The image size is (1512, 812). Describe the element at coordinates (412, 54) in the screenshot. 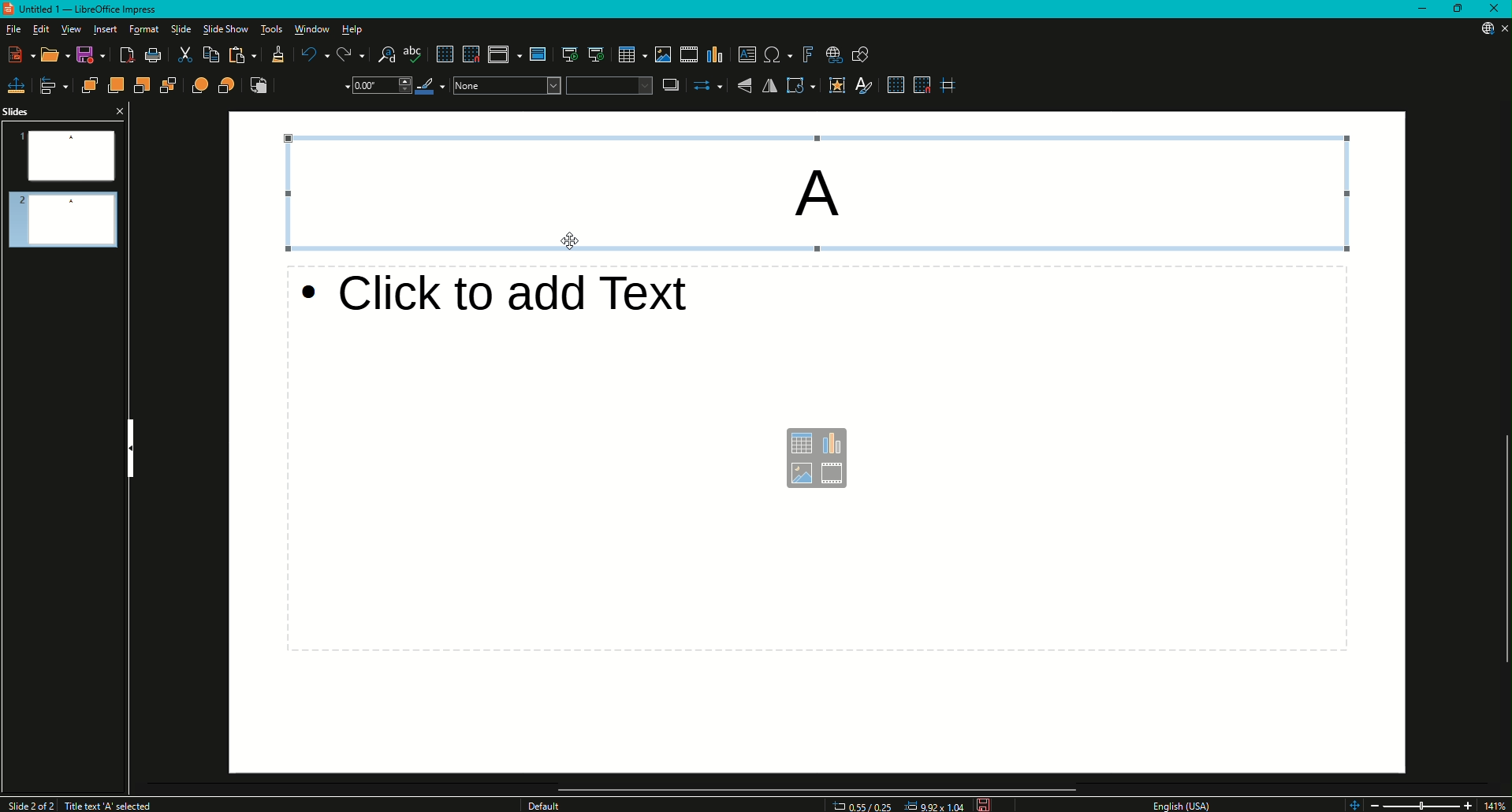

I see `Spelling` at that location.